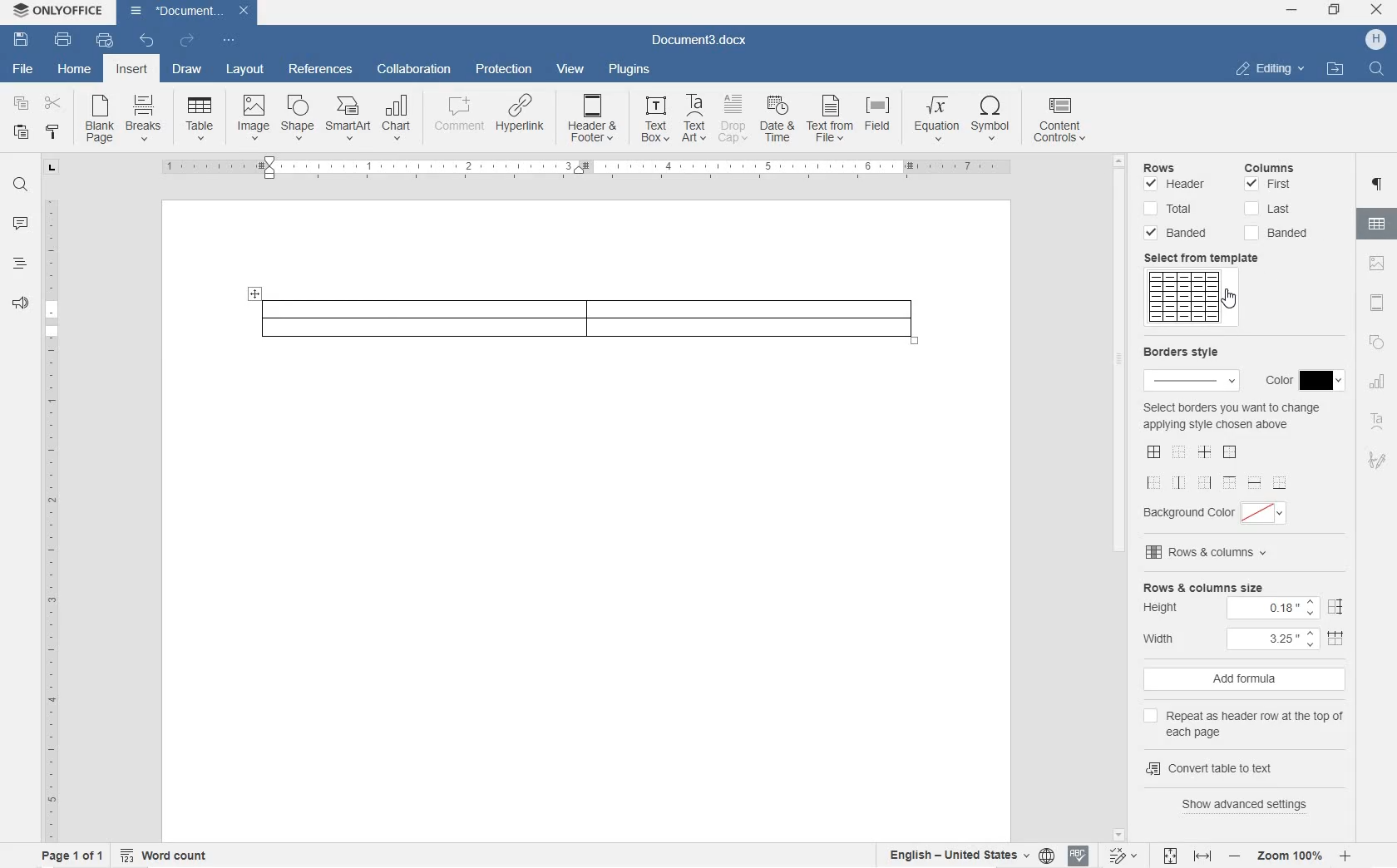  What do you see at coordinates (23, 37) in the screenshot?
I see `SAVE` at bounding box center [23, 37].